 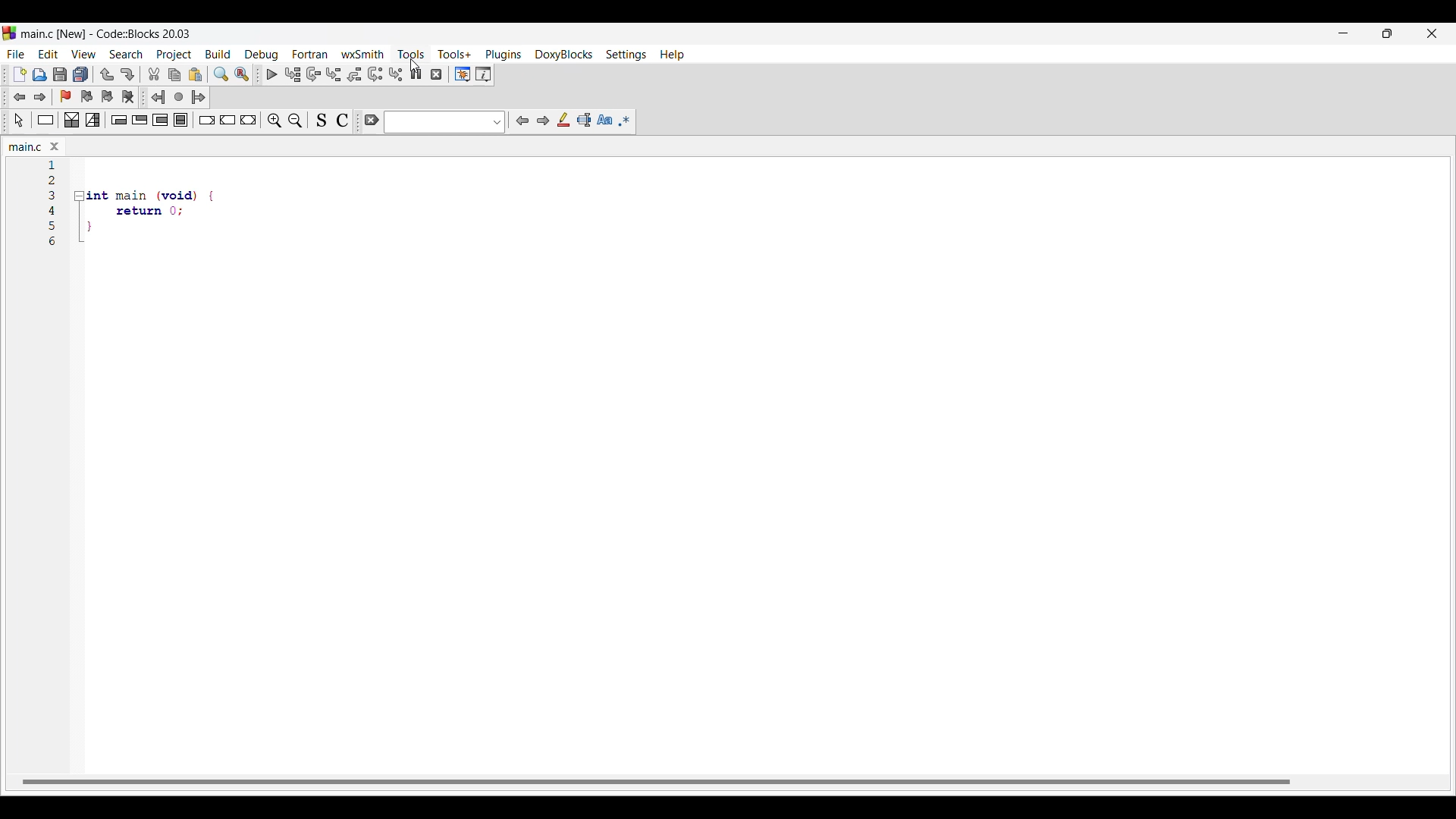 I want to click on File menu, so click(x=16, y=55).